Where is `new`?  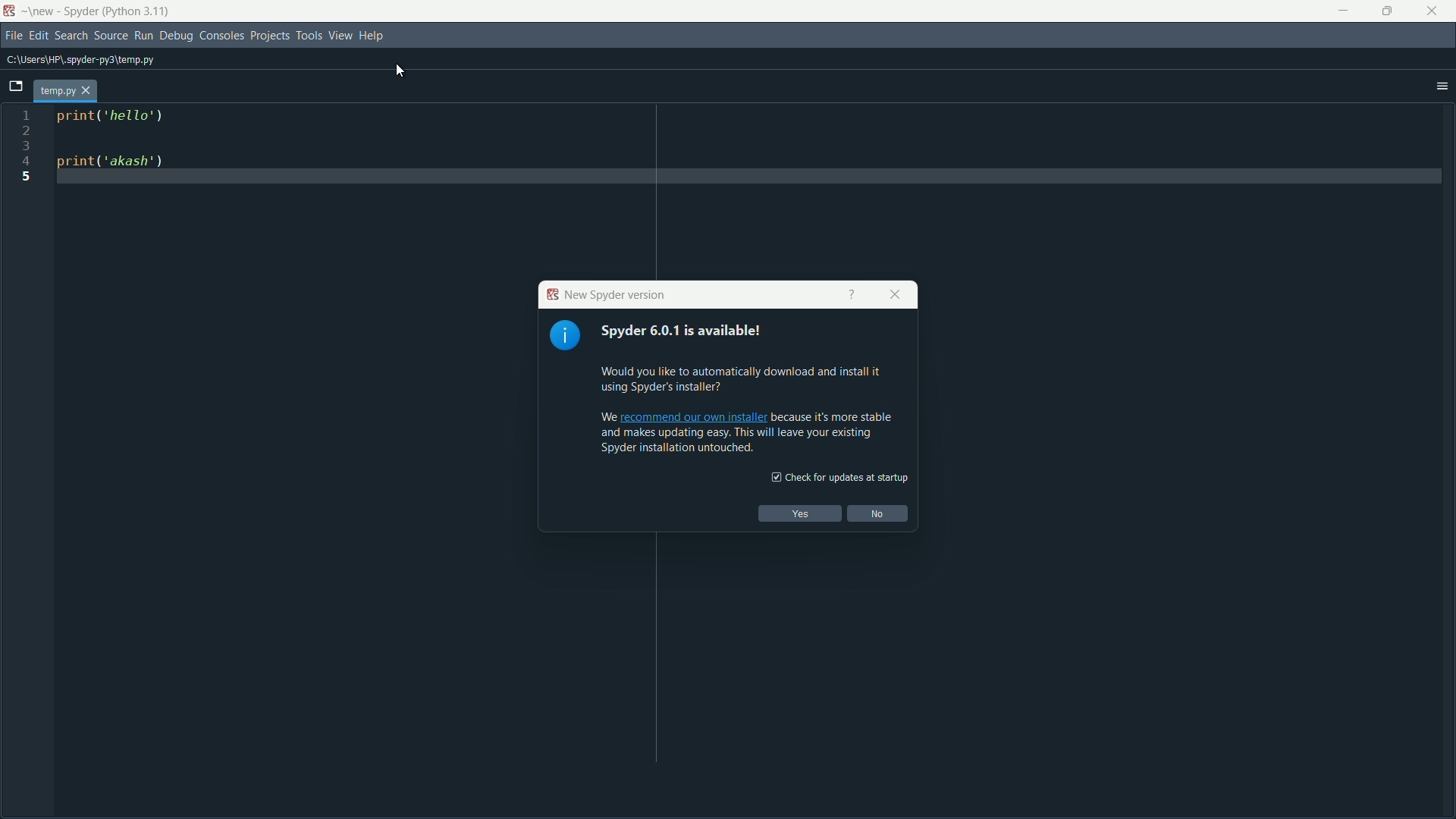
new is located at coordinates (40, 11).